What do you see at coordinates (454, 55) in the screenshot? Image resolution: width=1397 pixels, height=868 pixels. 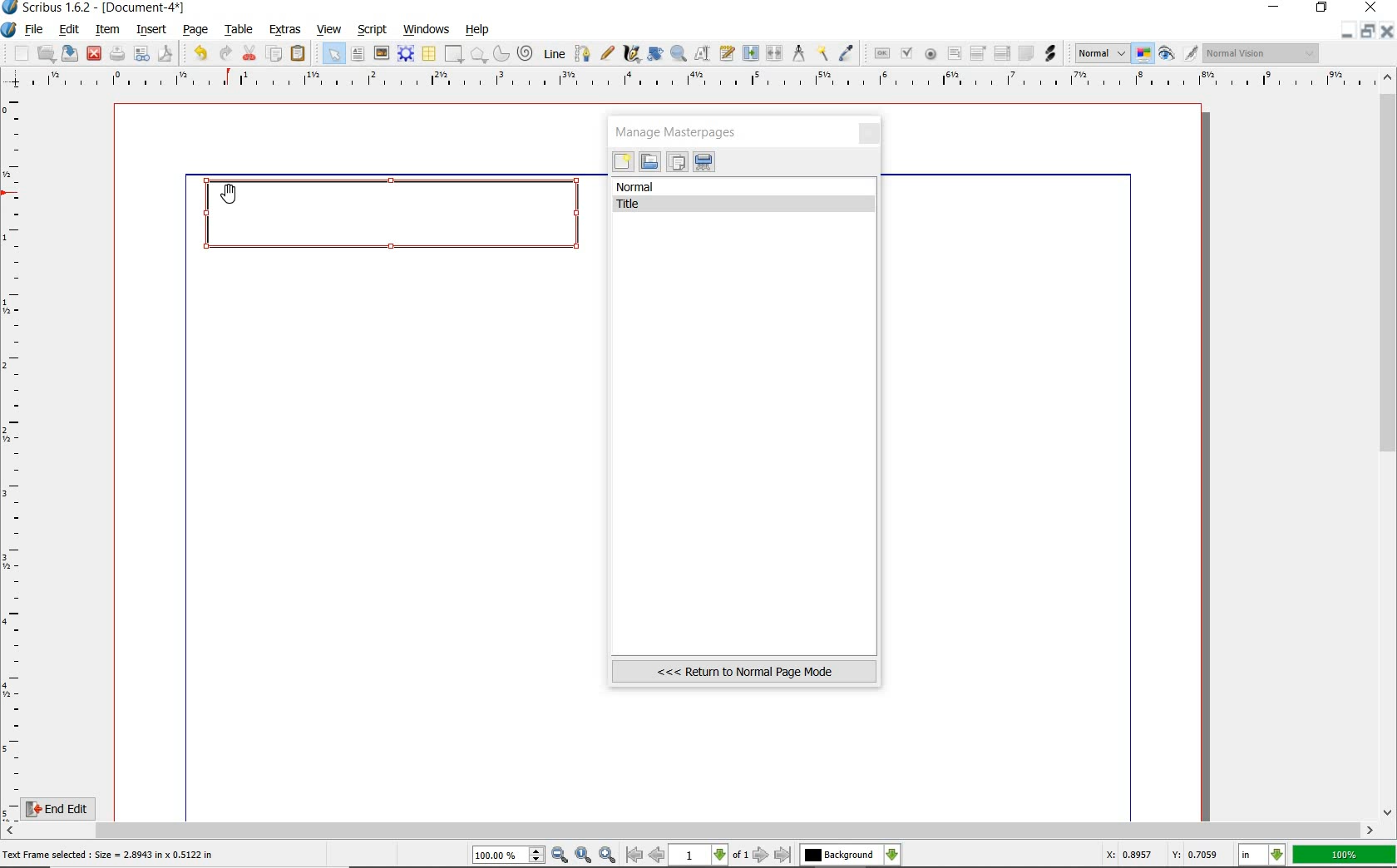 I see `shape` at bounding box center [454, 55].